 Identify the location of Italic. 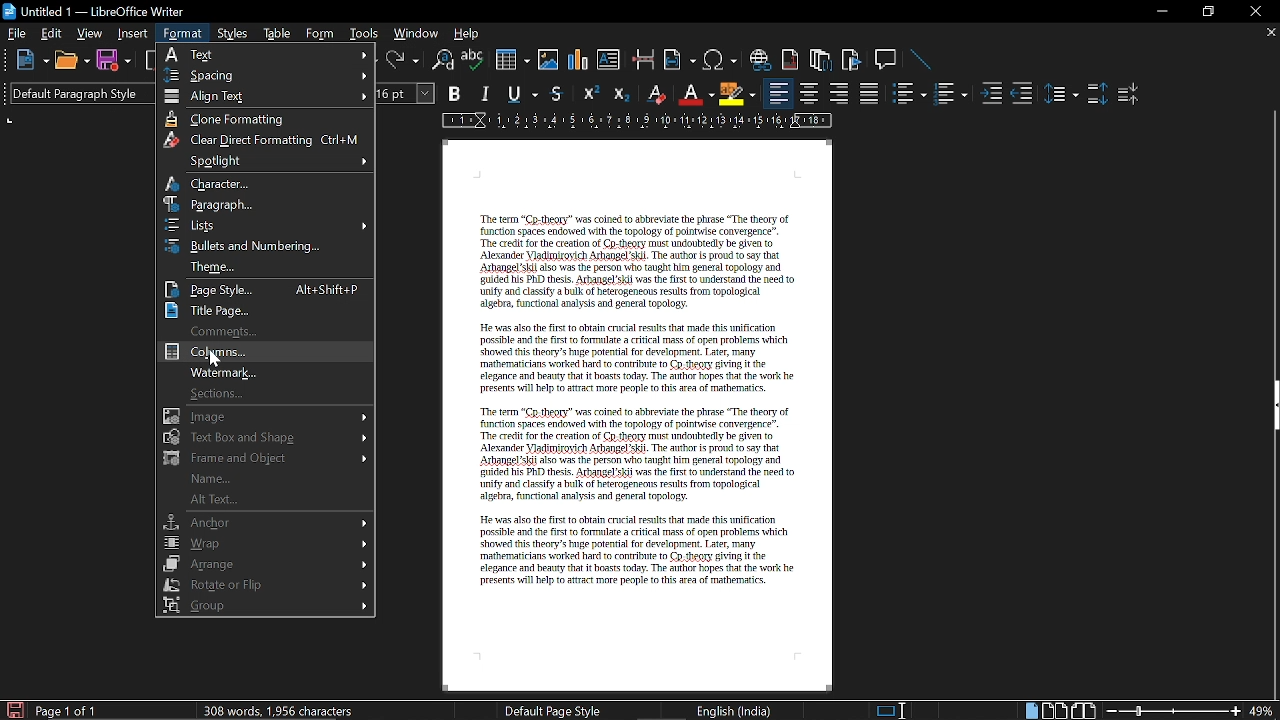
(486, 94).